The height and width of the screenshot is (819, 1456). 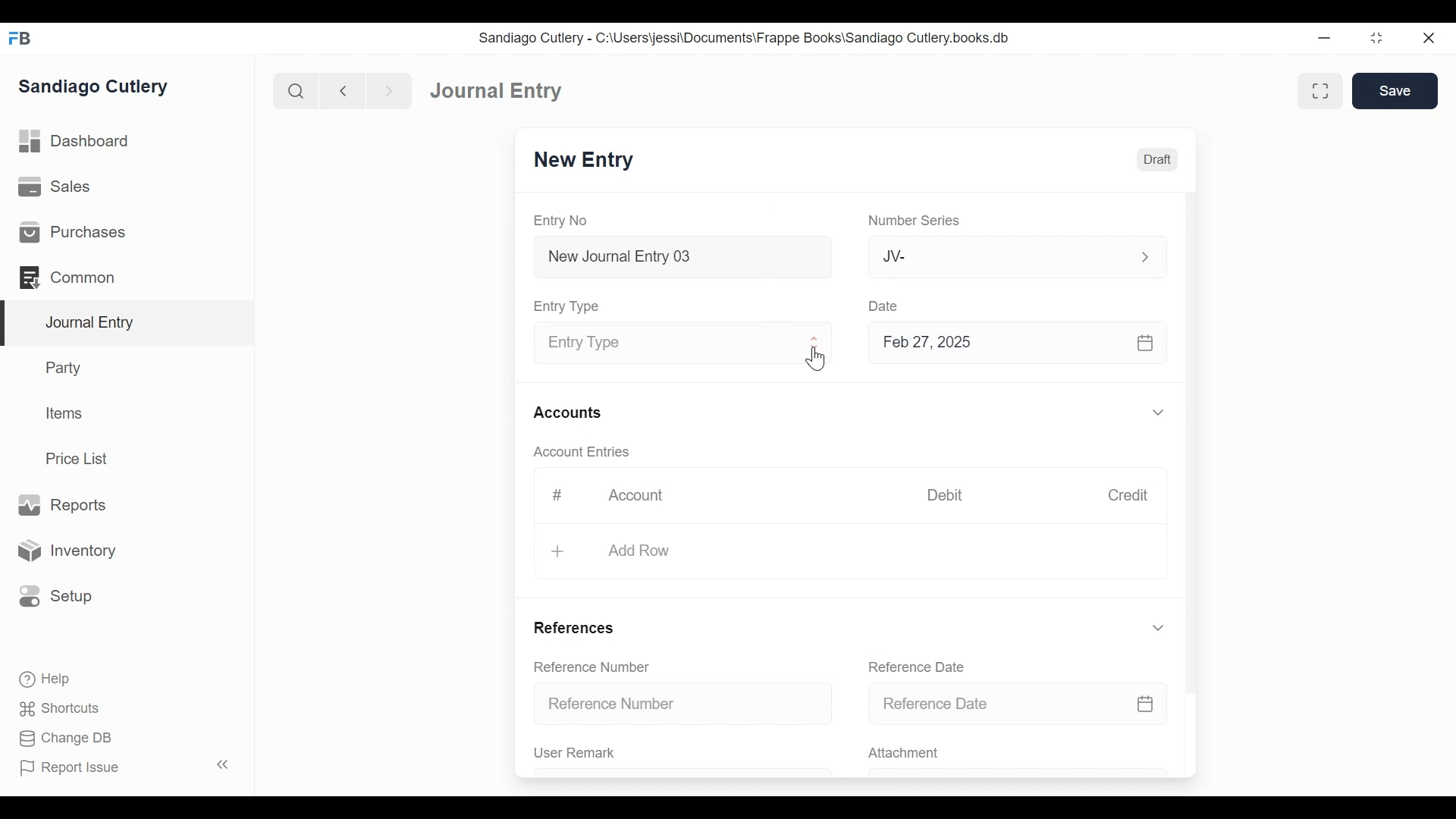 I want to click on Vertical Scroll bar, so click(x=1193, y=439).